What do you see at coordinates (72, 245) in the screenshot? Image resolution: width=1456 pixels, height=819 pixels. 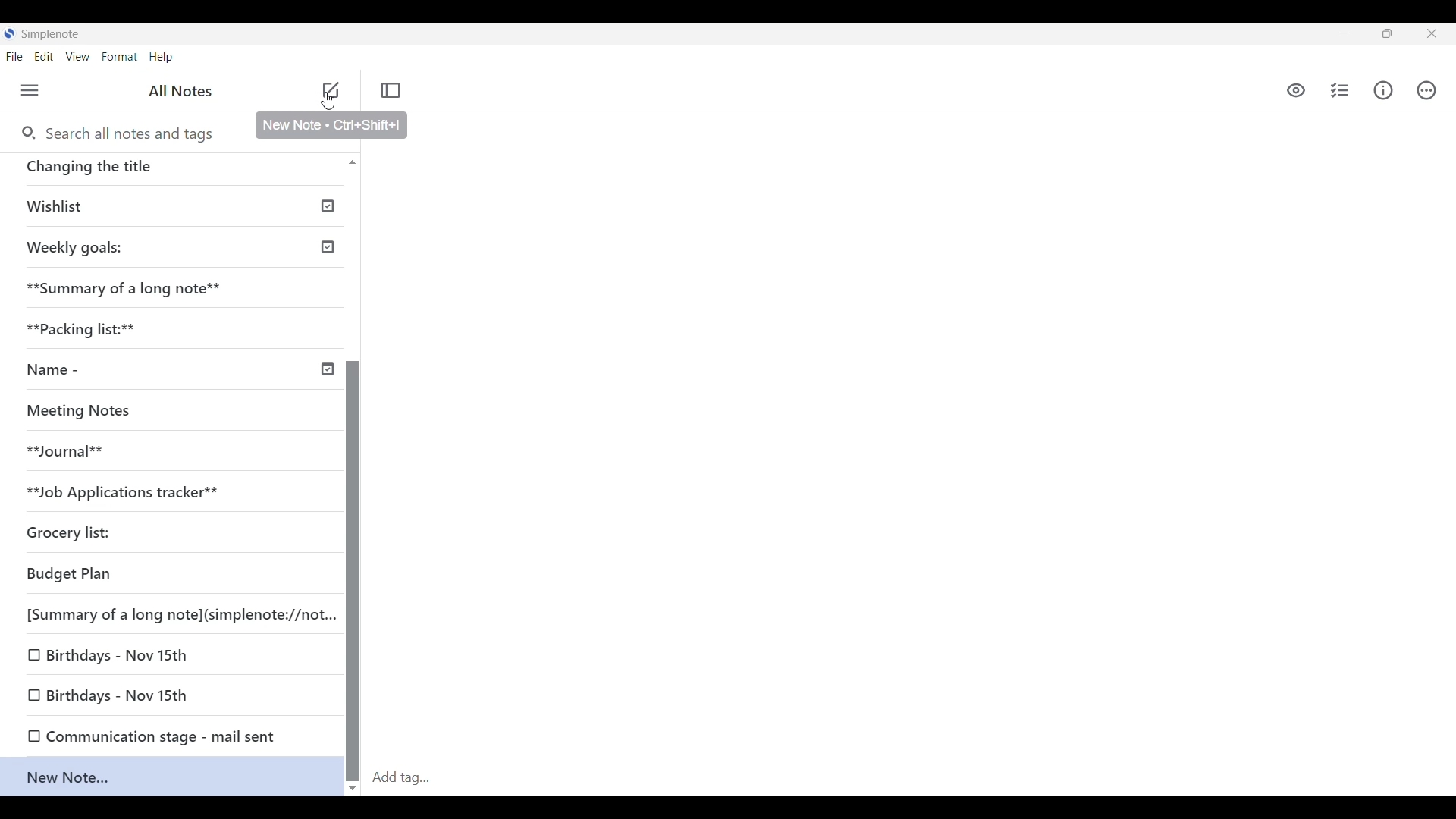 I see `Weekly goals` at bounding box center [72, 245].